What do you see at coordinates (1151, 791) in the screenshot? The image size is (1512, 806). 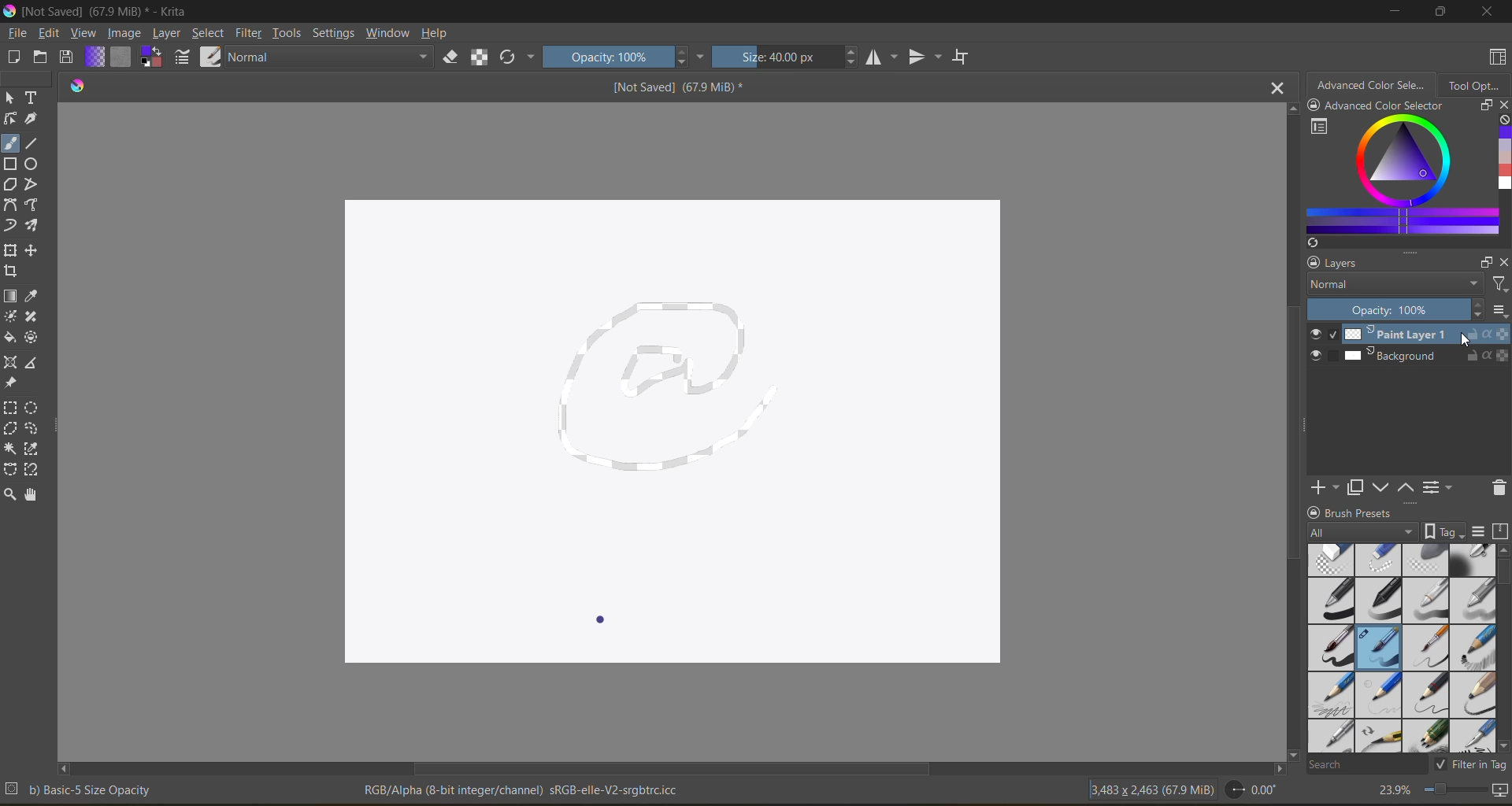 I see `image metadata` at bounding box center [1151, 791].